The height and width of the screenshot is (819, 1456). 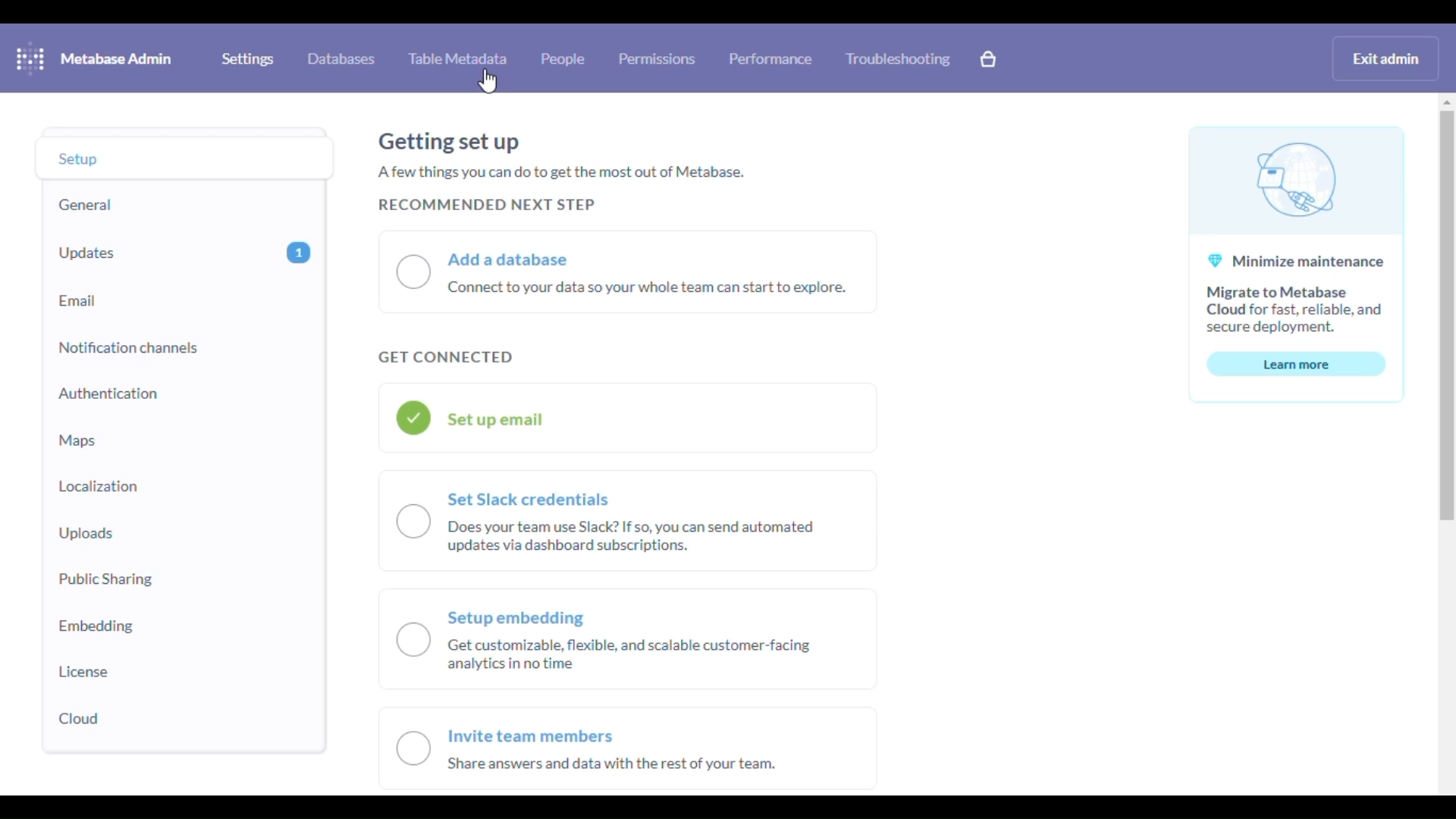 I want to click on get connected, so click(x=446, y=358).